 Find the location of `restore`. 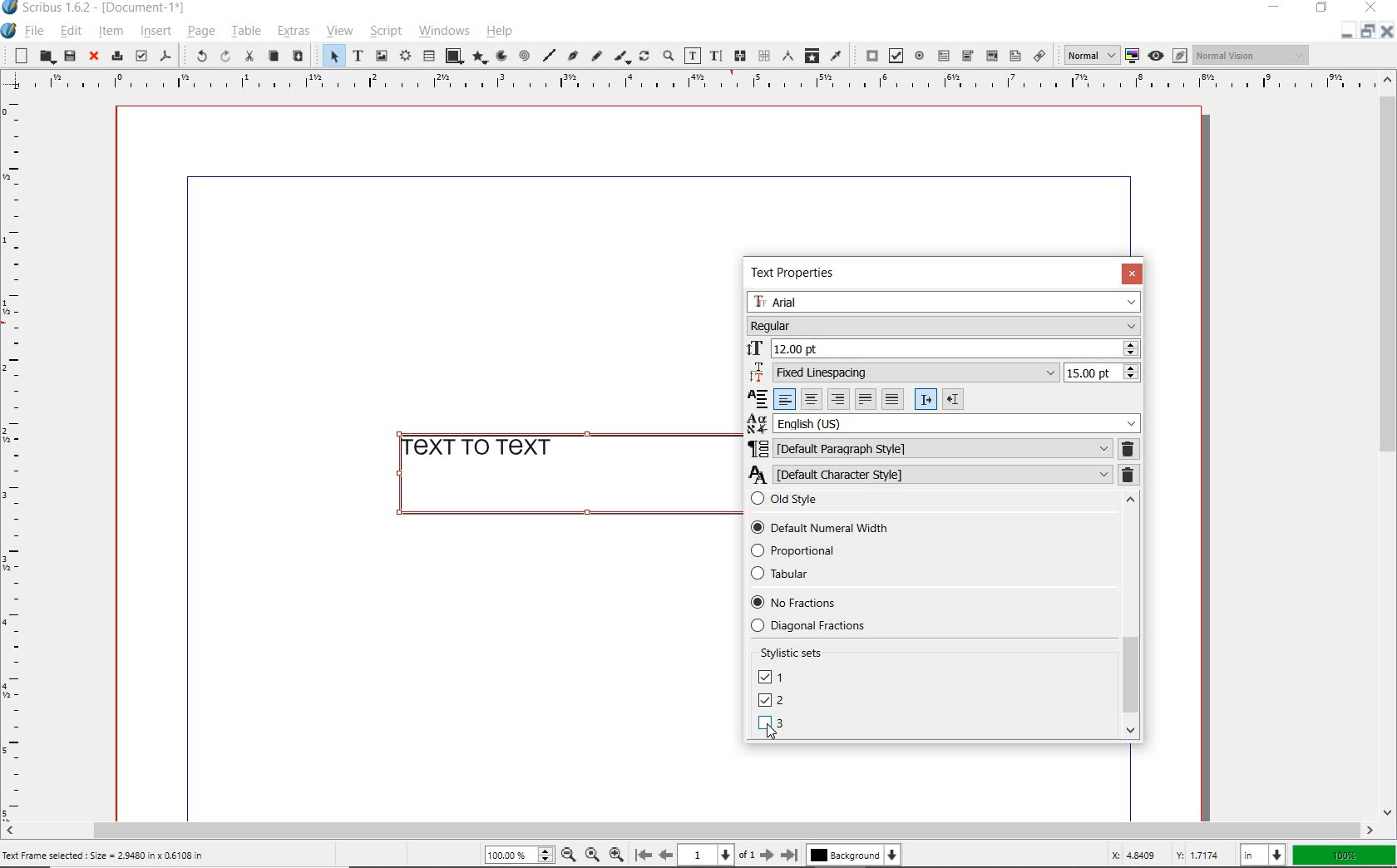

restore is located at coordinates (1324, 9).